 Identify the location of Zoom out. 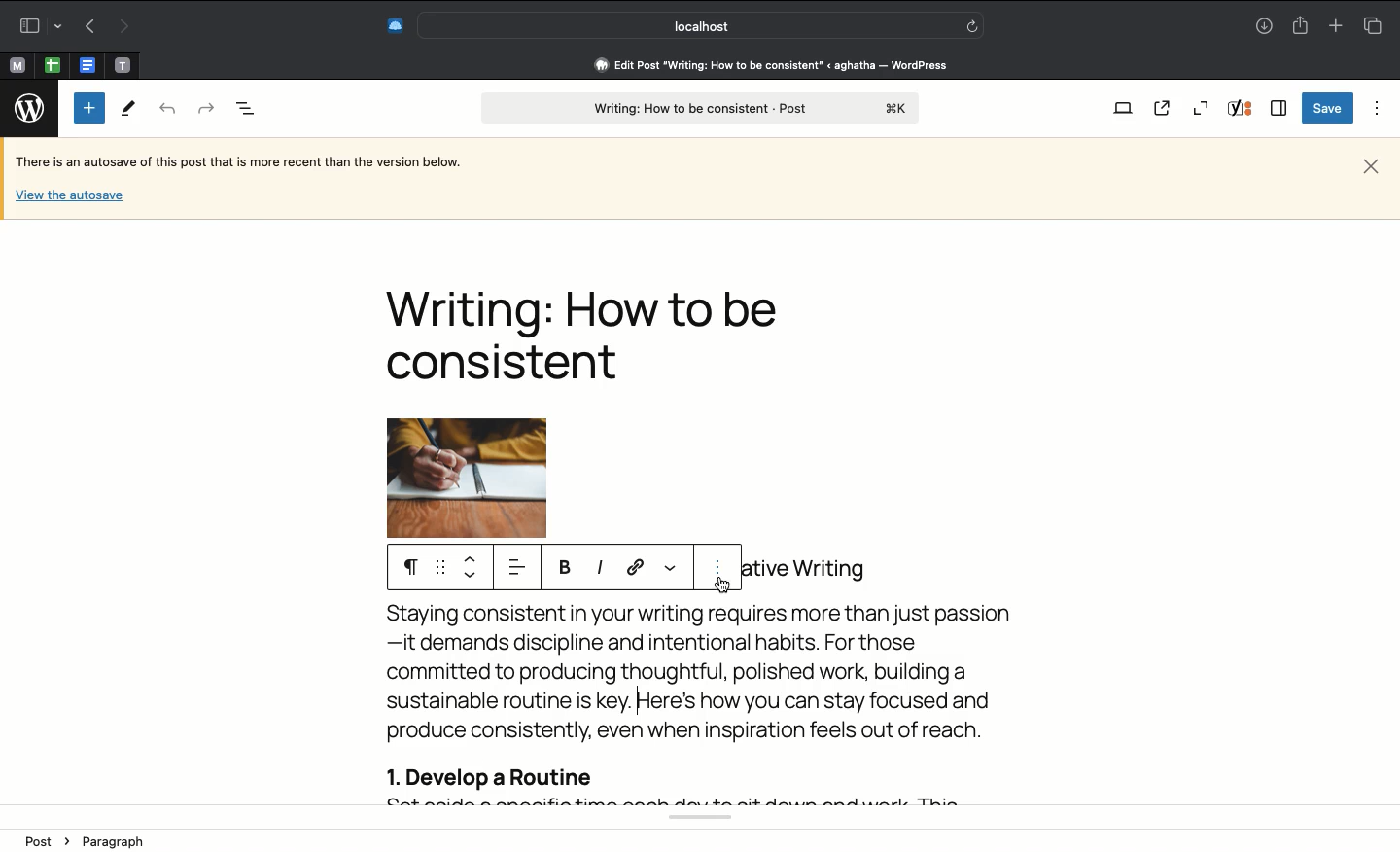
(1201, 108).